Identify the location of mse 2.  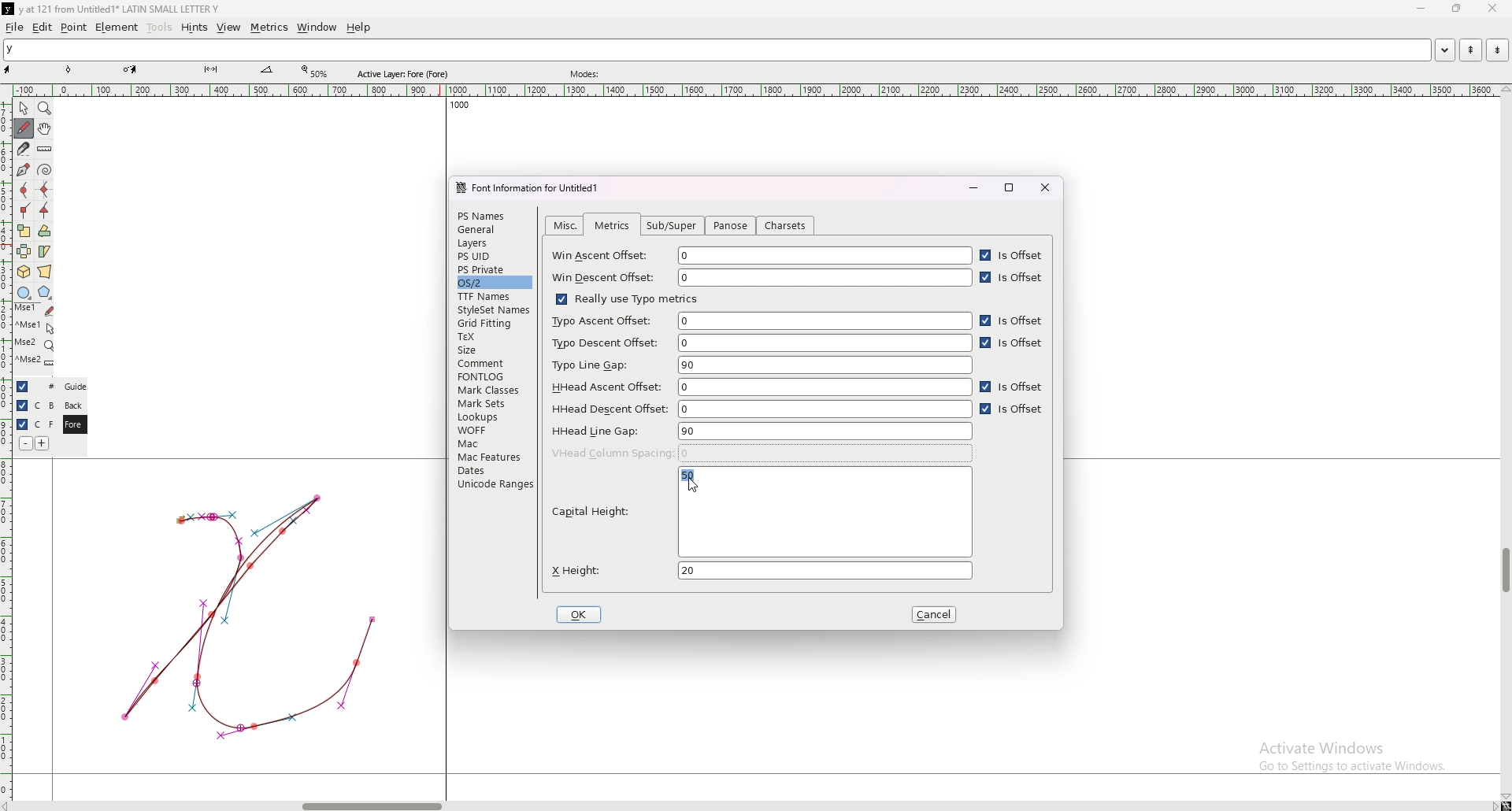
(35, 362).